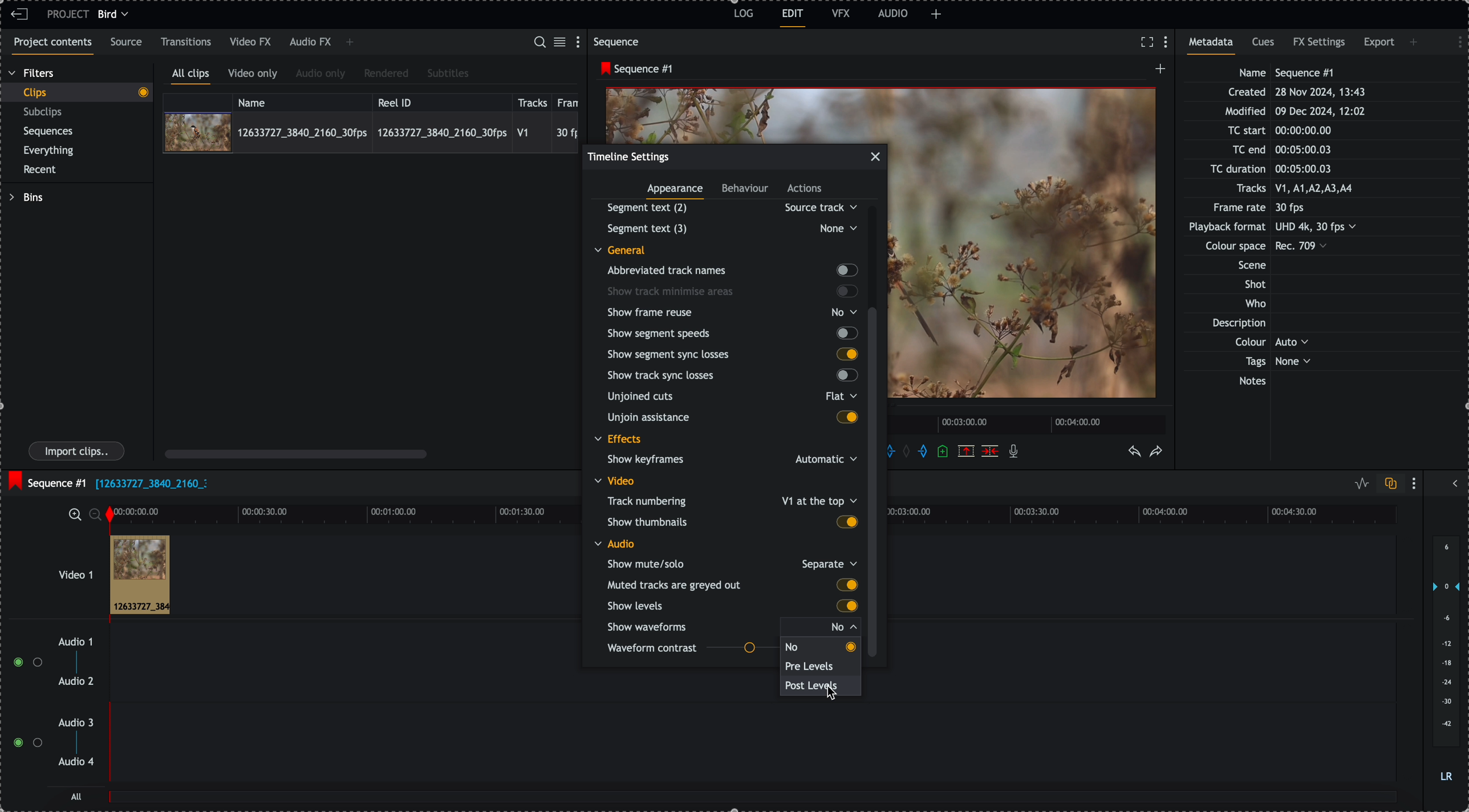 The height and width of the screenshot is (812, 1469). What do you see at coordinates (562, 43) in the screenshot?
I see `toggle between list and tile view` at bounding box center [562, 43].